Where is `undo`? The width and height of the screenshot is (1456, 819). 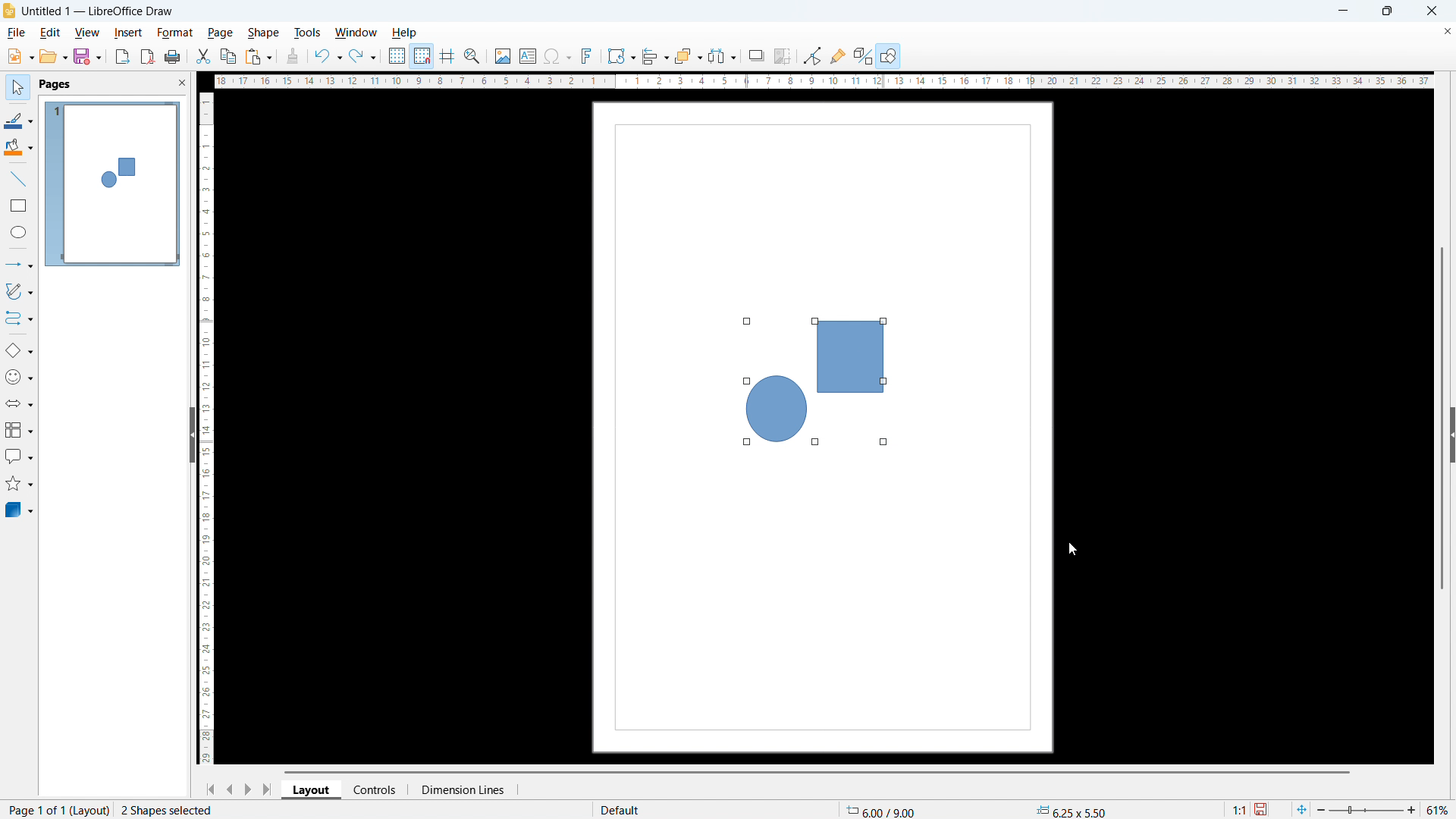
undo is located at coordinates (328, 57).